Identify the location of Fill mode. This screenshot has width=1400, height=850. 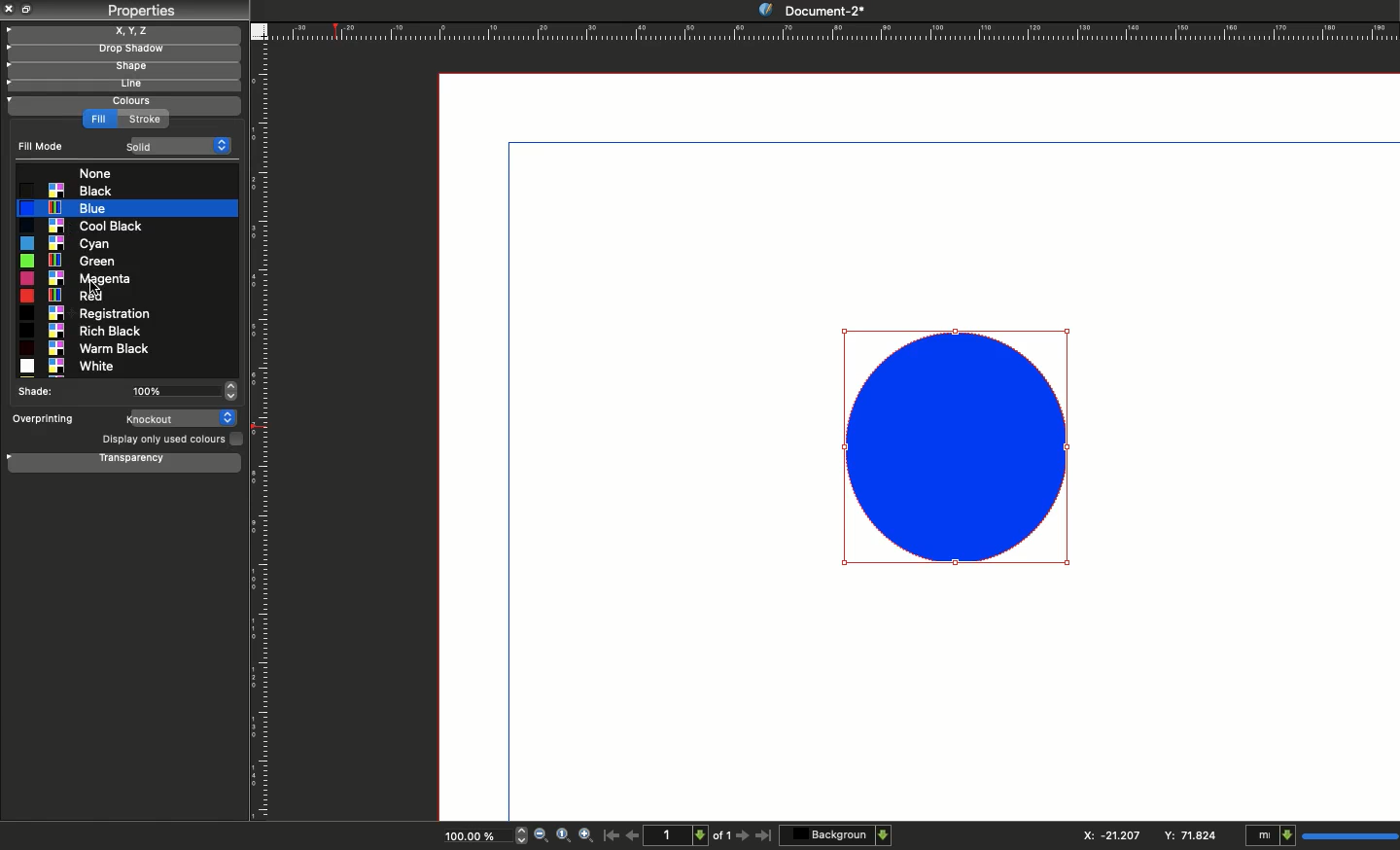
(43, 146).